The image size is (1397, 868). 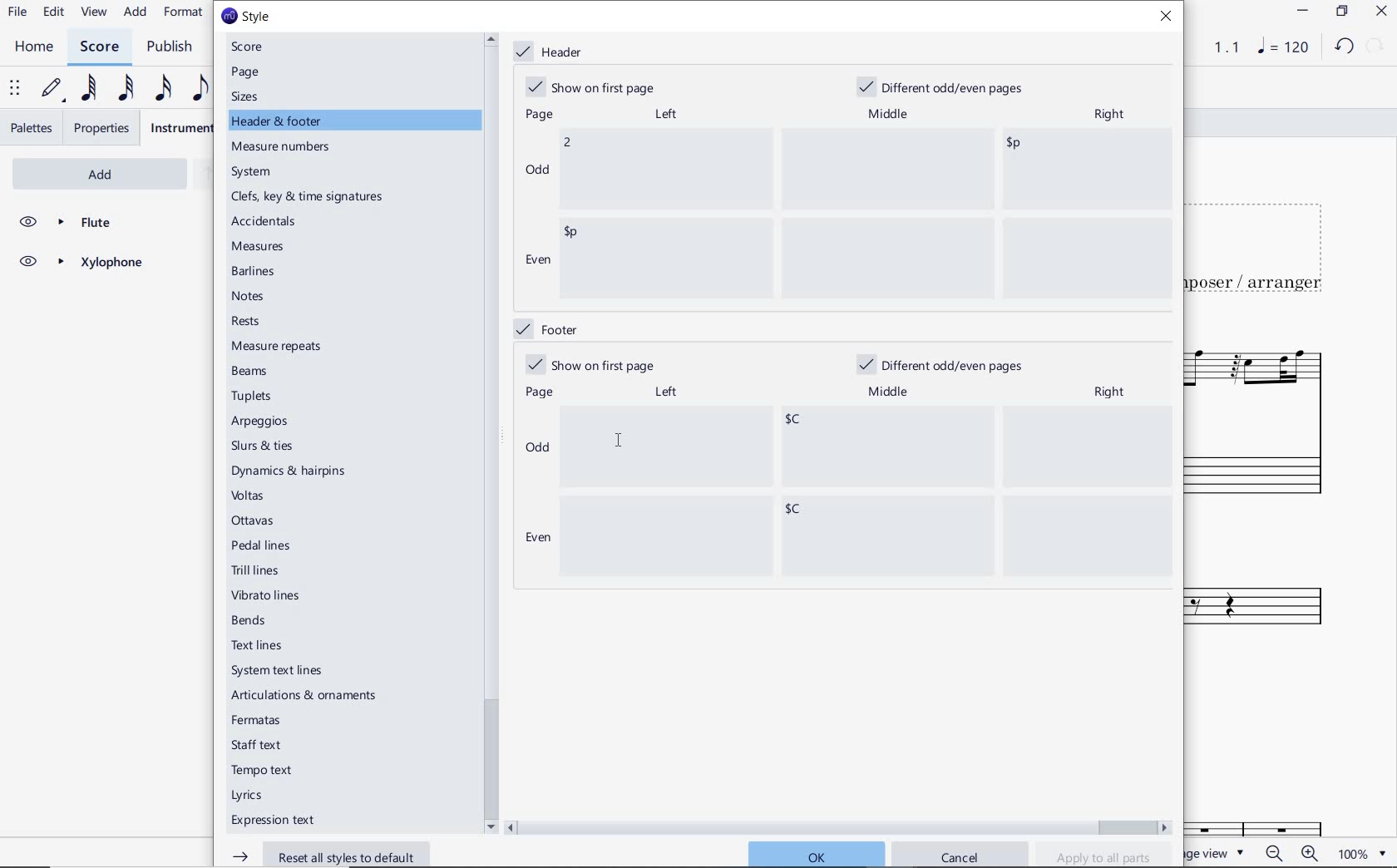 I want to click on scrollbar, so click(x=839, y=826).